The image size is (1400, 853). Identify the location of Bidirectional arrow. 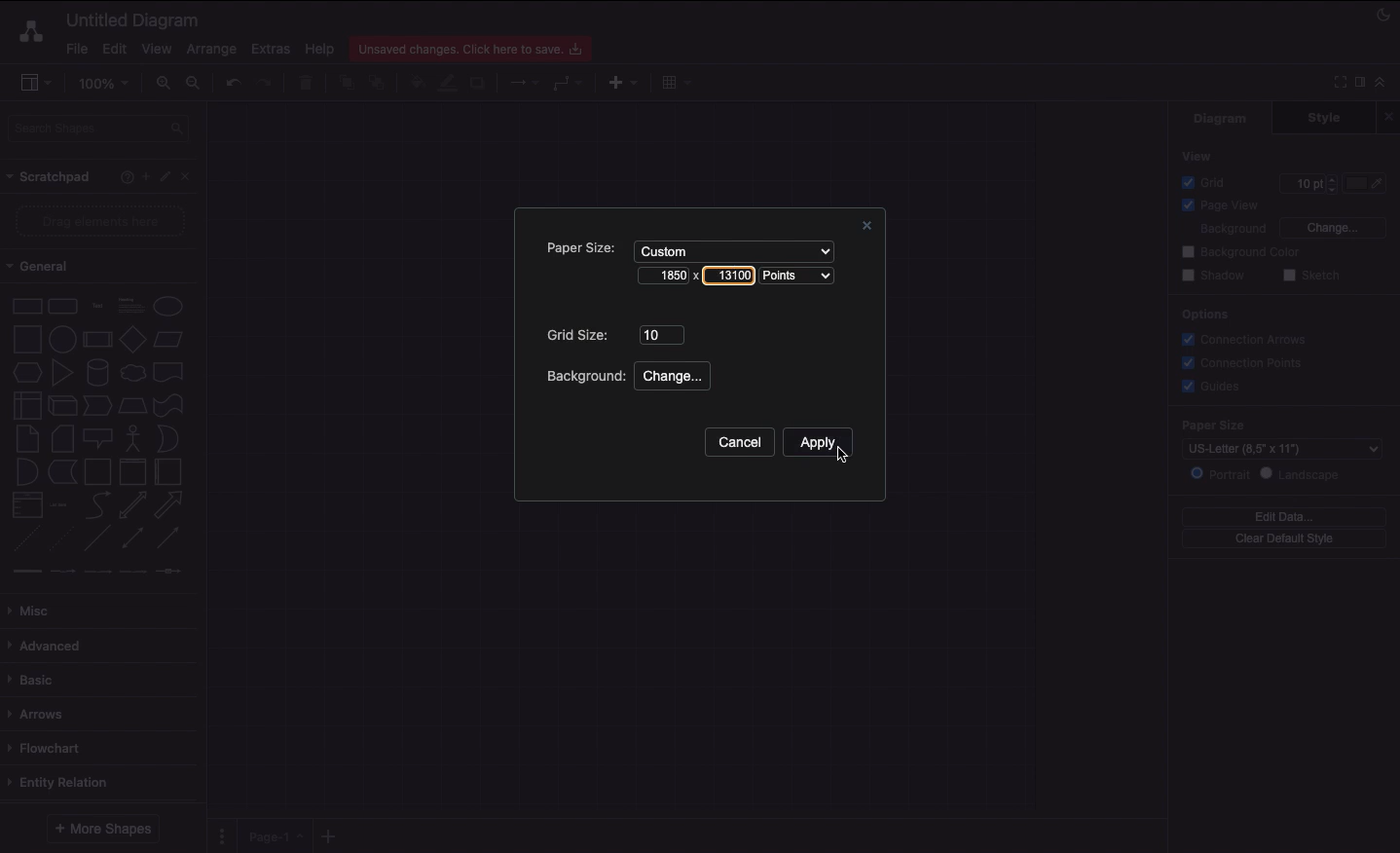
(132, 504).